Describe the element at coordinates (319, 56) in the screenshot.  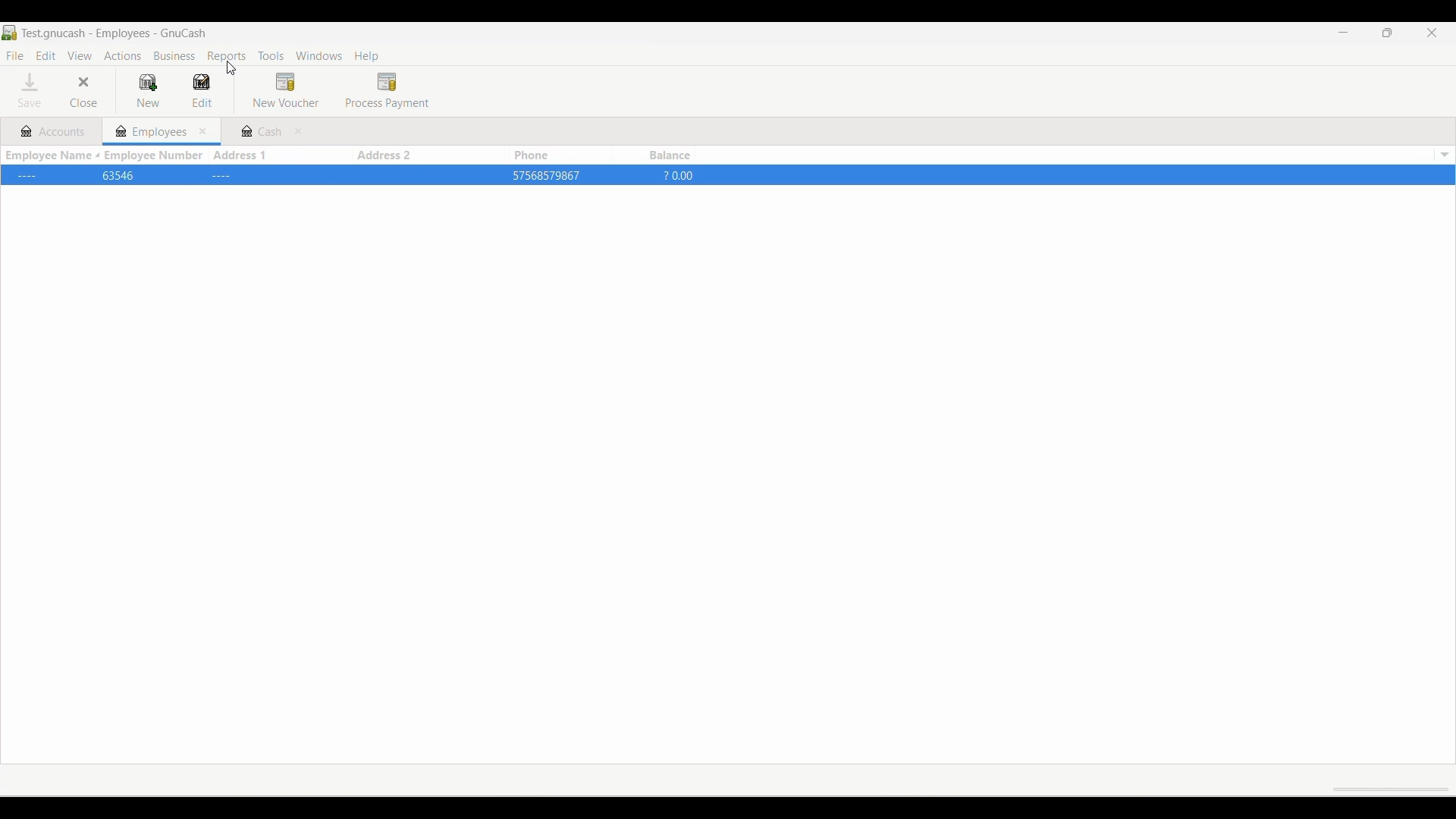
I see `Windows` at that location.